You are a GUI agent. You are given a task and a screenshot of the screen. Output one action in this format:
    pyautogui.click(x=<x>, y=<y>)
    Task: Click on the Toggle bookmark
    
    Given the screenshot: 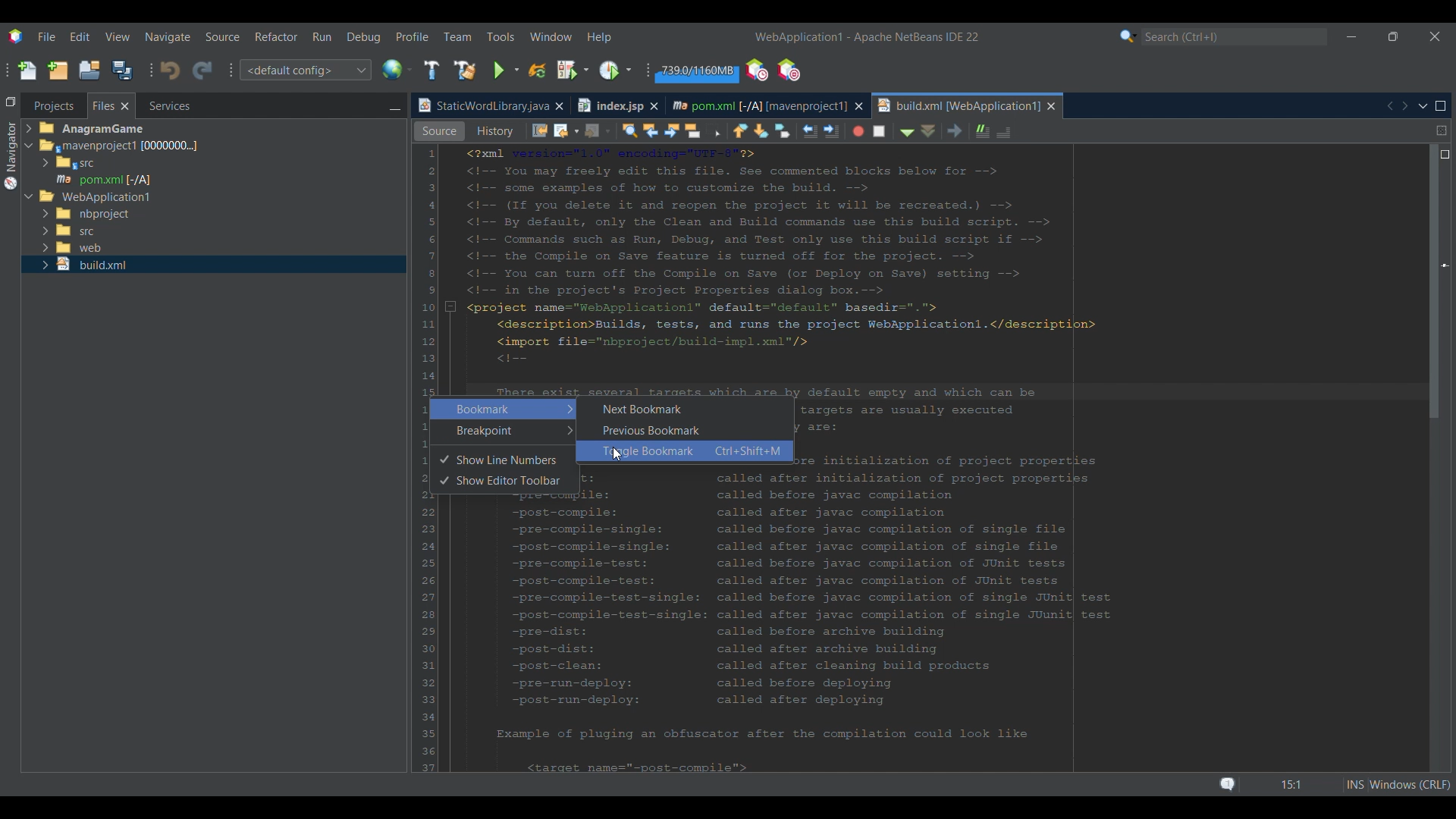 What is the action you would take?
    pyautogui.click(x=919, y=130)
    